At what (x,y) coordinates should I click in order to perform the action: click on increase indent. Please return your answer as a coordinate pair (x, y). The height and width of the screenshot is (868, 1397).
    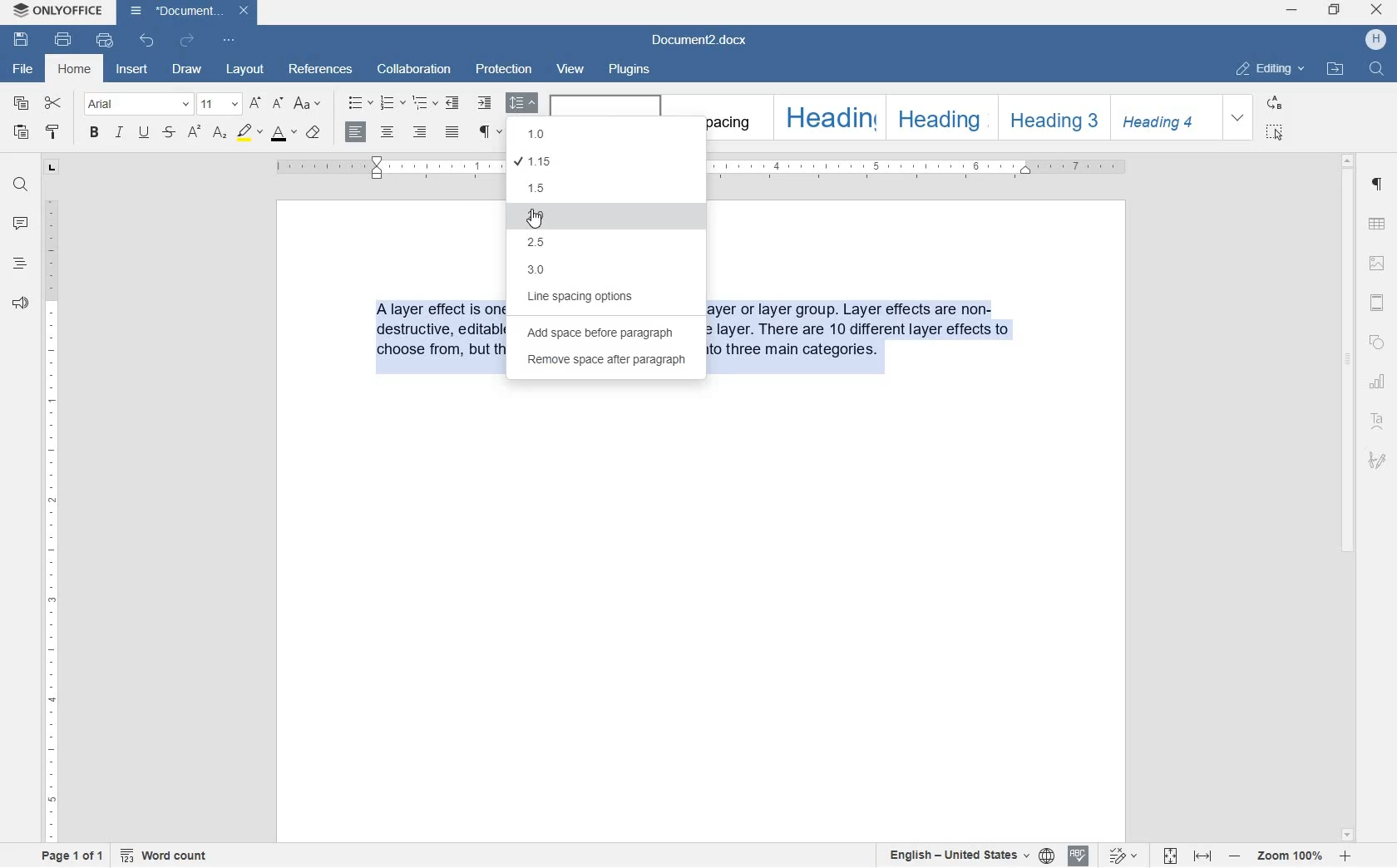
    Looking at the image, I should click on (485, 104).